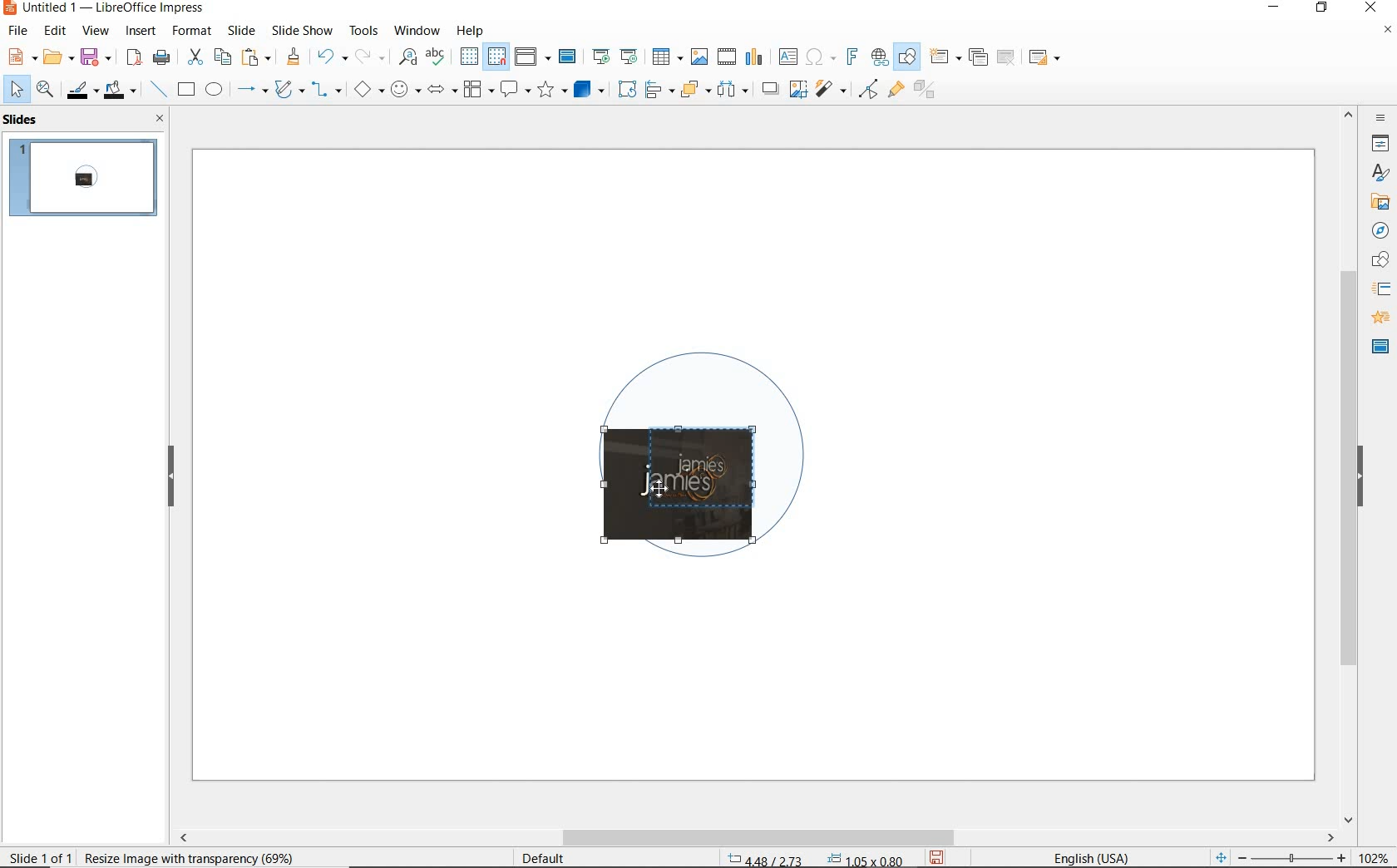 The height and width of the screenshot is (868, 1397). I want to click on help, so click(472, 28).